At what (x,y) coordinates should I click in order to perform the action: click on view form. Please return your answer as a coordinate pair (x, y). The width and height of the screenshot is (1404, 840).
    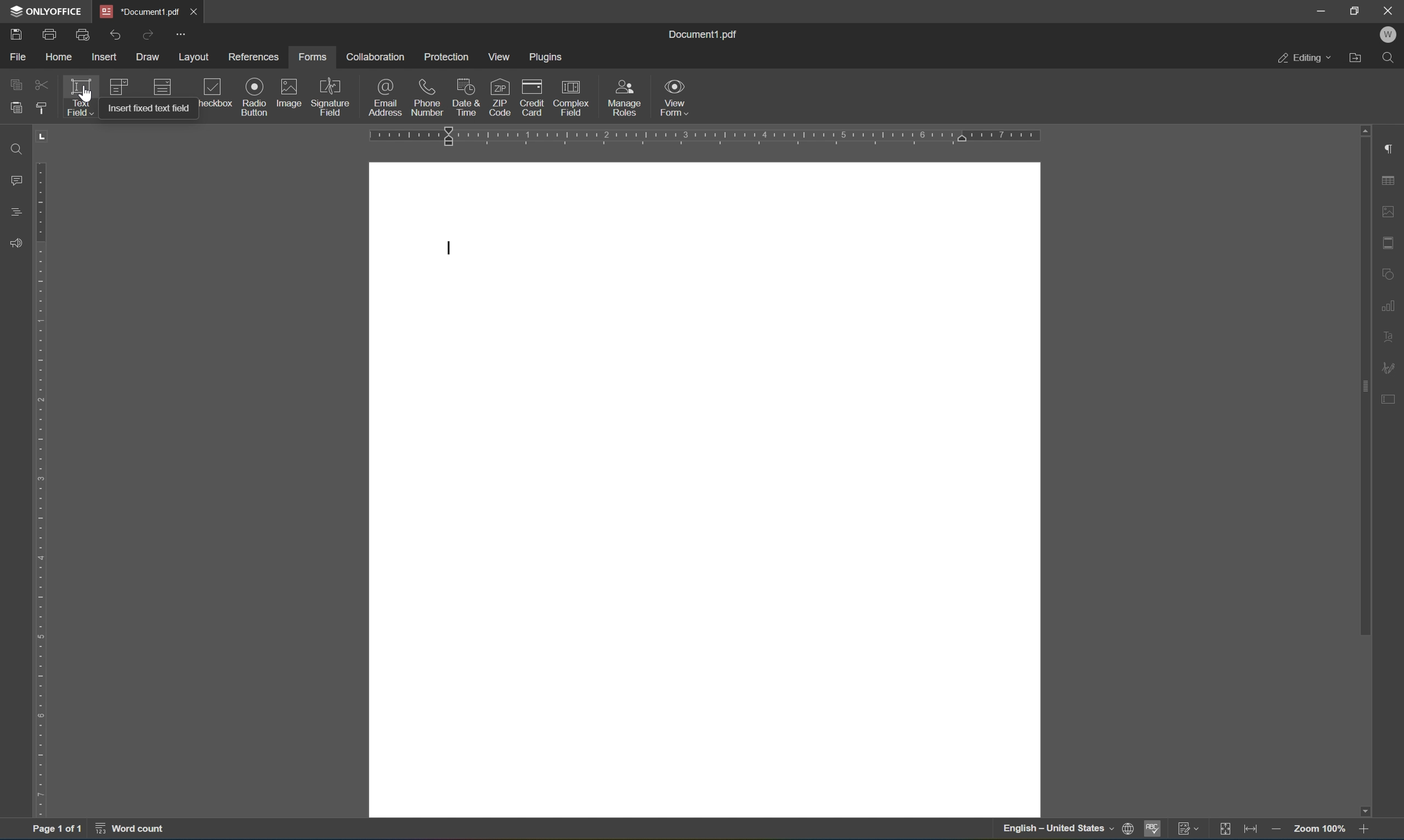
    Looking at the image, I should click on (675, 97).